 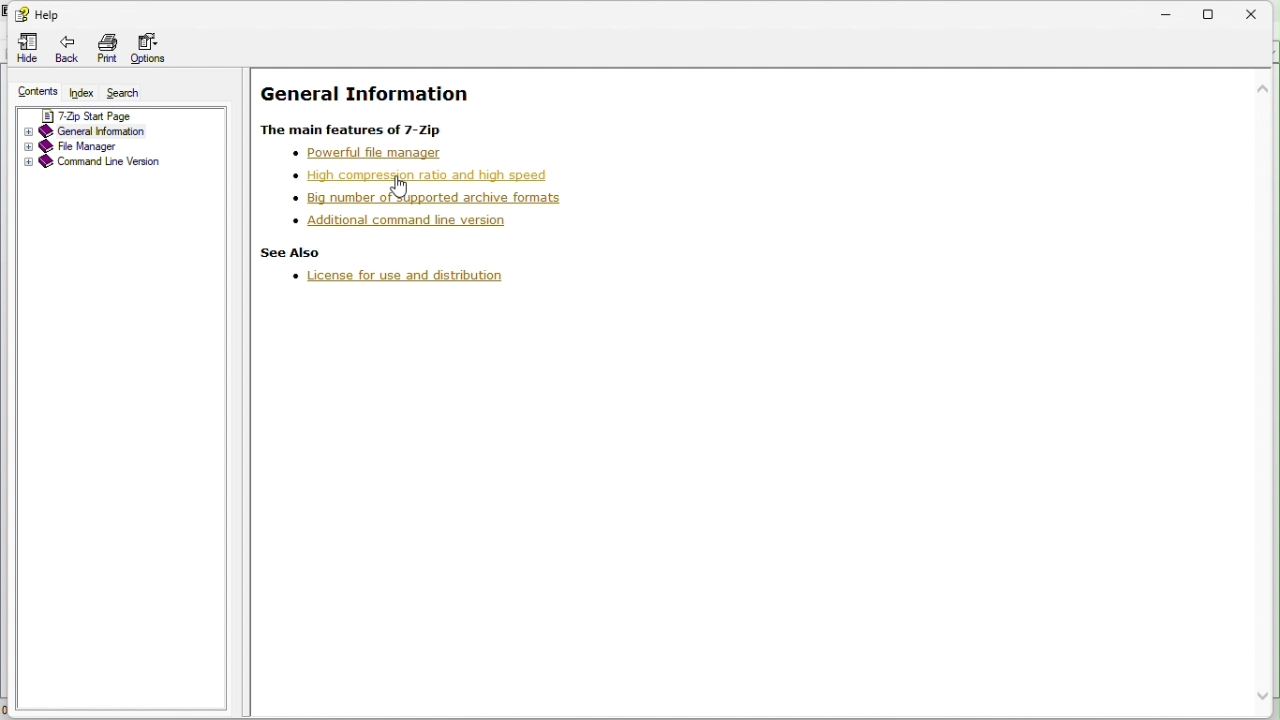 I want to click on minimize, so click(x=1175, y=10).